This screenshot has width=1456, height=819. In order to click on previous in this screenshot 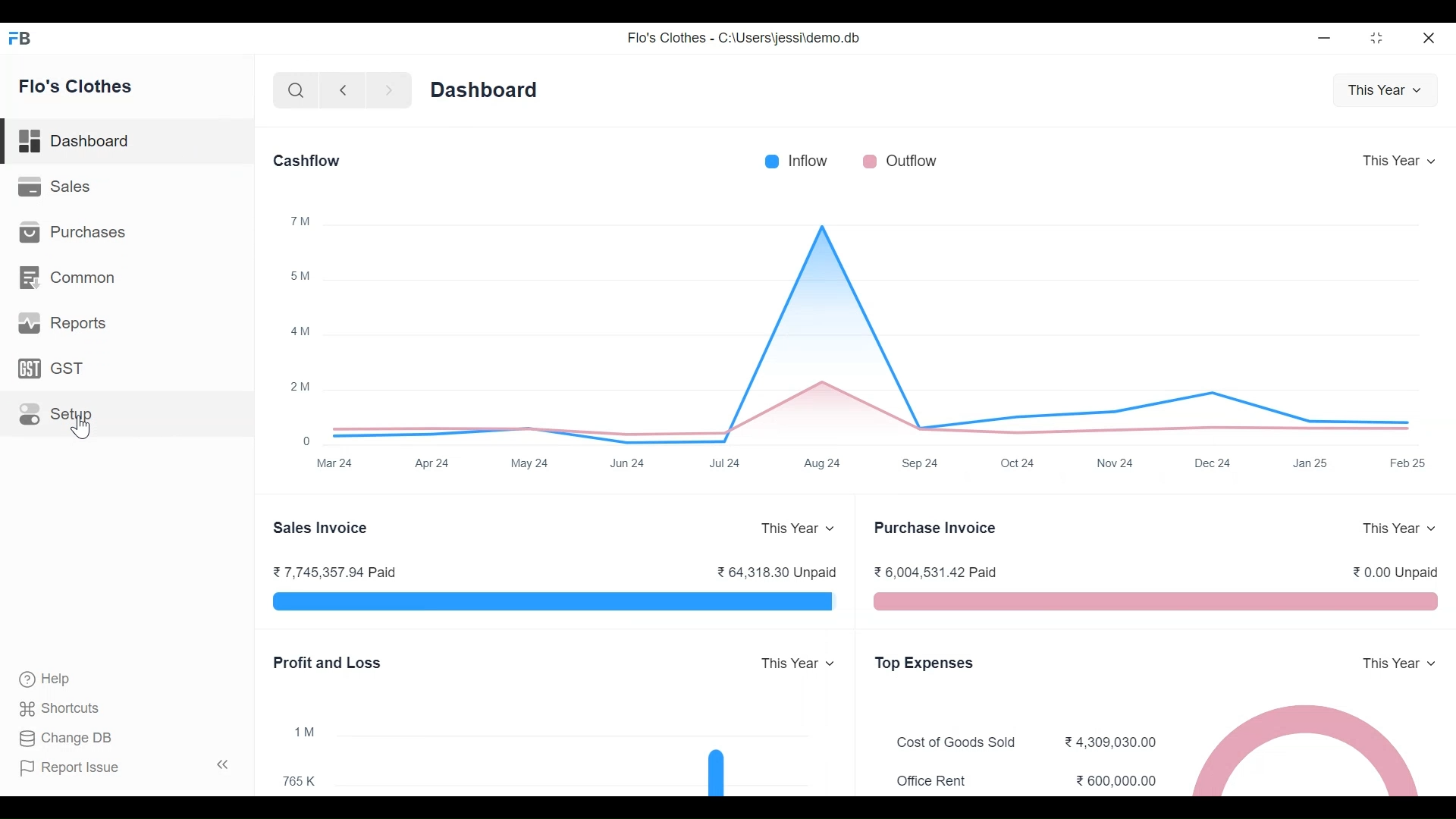, I will do `click(343, 90)`.